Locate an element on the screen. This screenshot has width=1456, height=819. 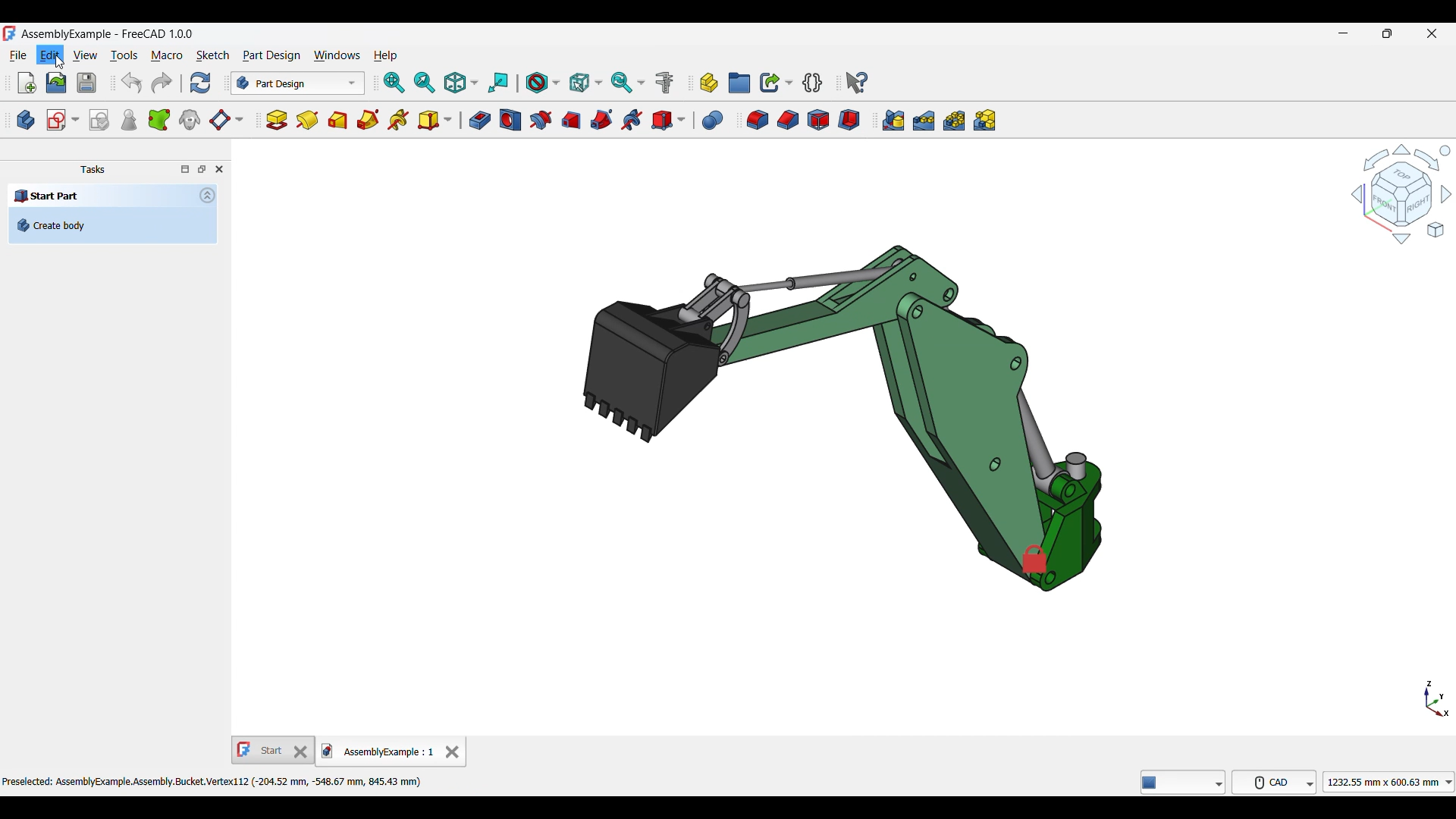
Show in smaller tab is located at coordinates (1388, 33).